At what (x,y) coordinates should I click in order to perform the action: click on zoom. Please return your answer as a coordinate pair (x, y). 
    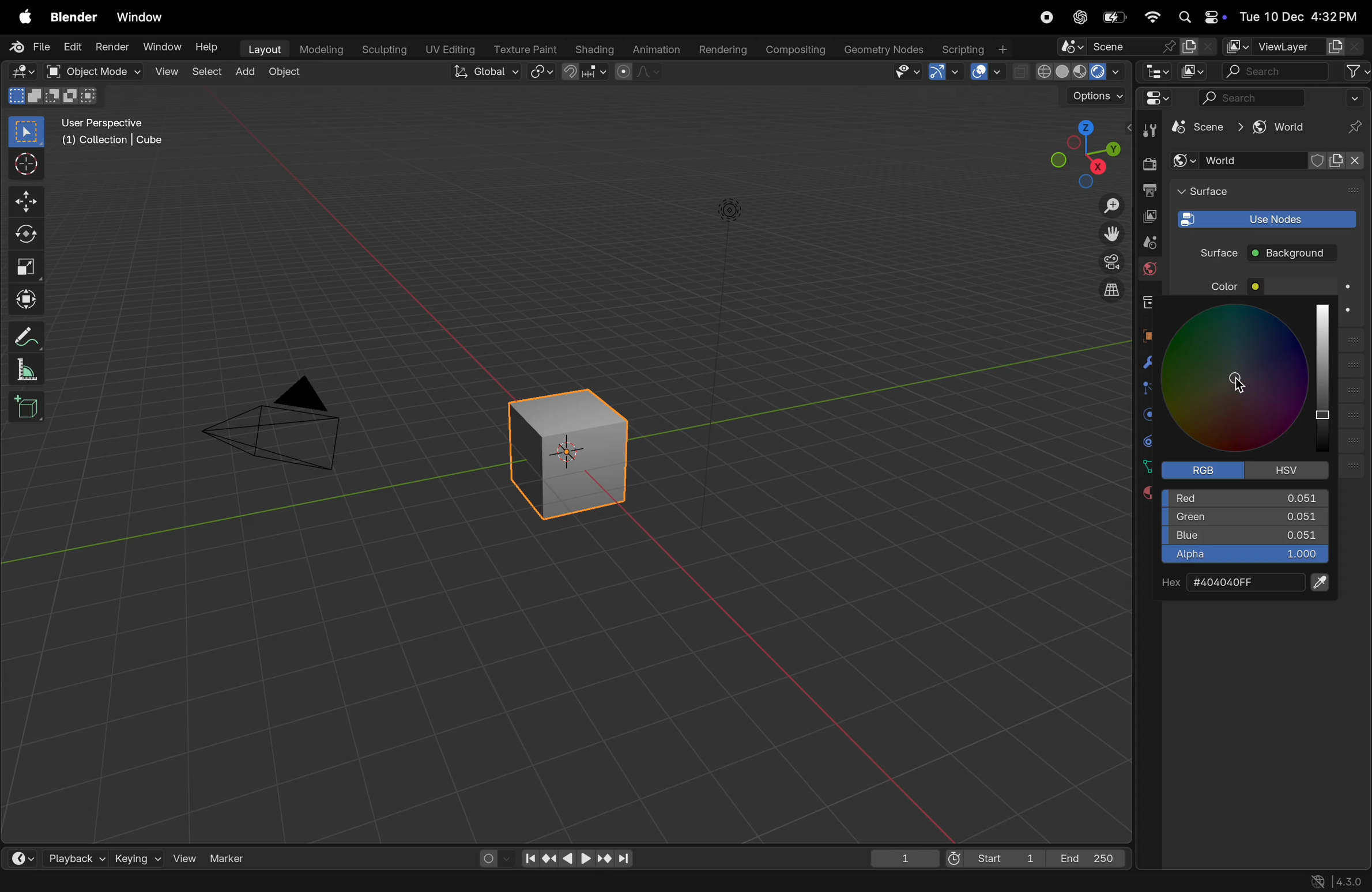
    Looking at the image, I should click on (1105, 205).